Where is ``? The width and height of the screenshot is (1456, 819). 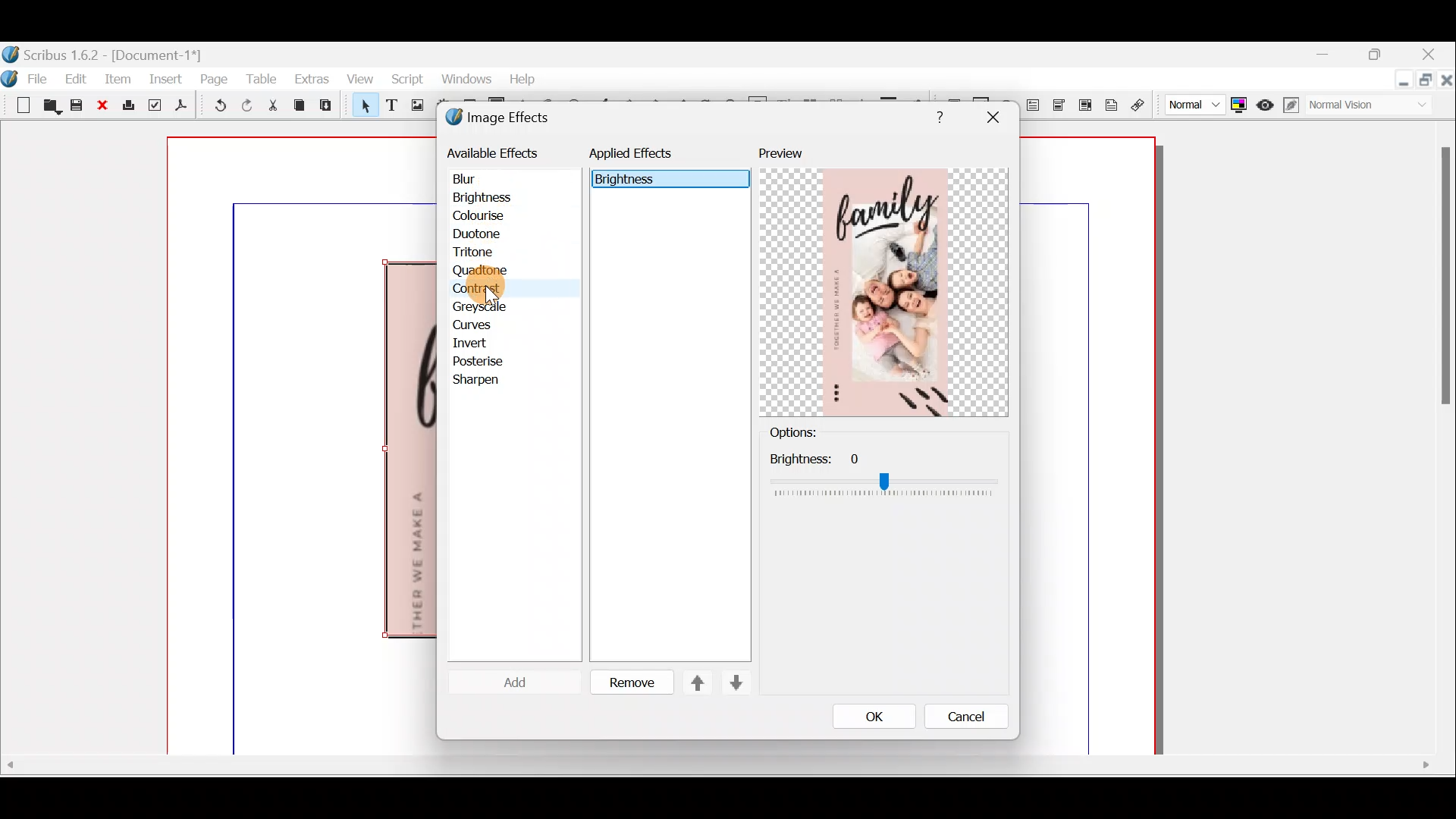
 is located at coordinates (936, 115).